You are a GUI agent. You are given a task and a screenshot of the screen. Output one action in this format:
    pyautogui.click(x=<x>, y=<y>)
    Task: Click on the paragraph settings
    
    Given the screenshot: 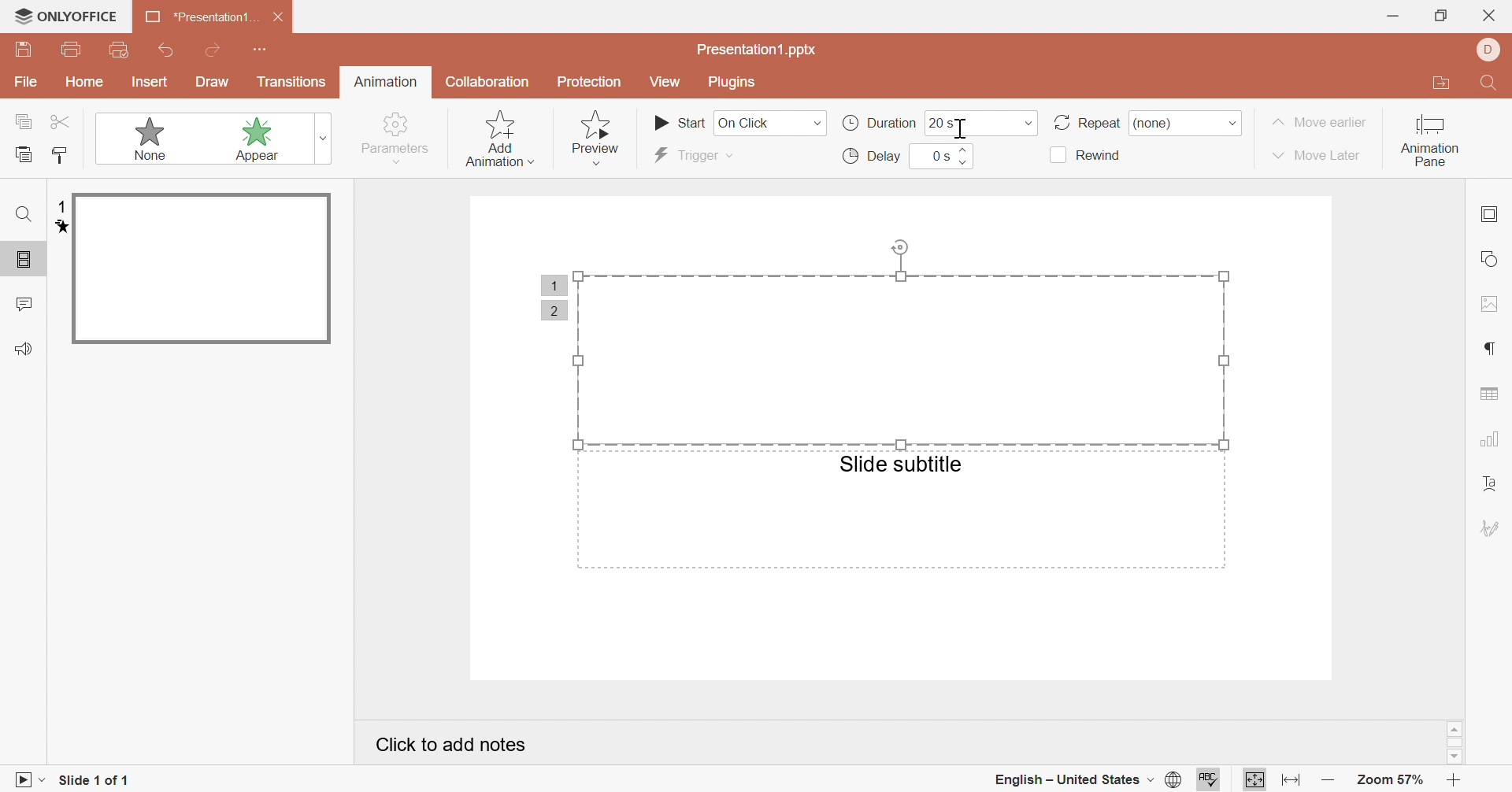 What is the action you would take?
    pyautogui.click(x=1487, y=349)
    